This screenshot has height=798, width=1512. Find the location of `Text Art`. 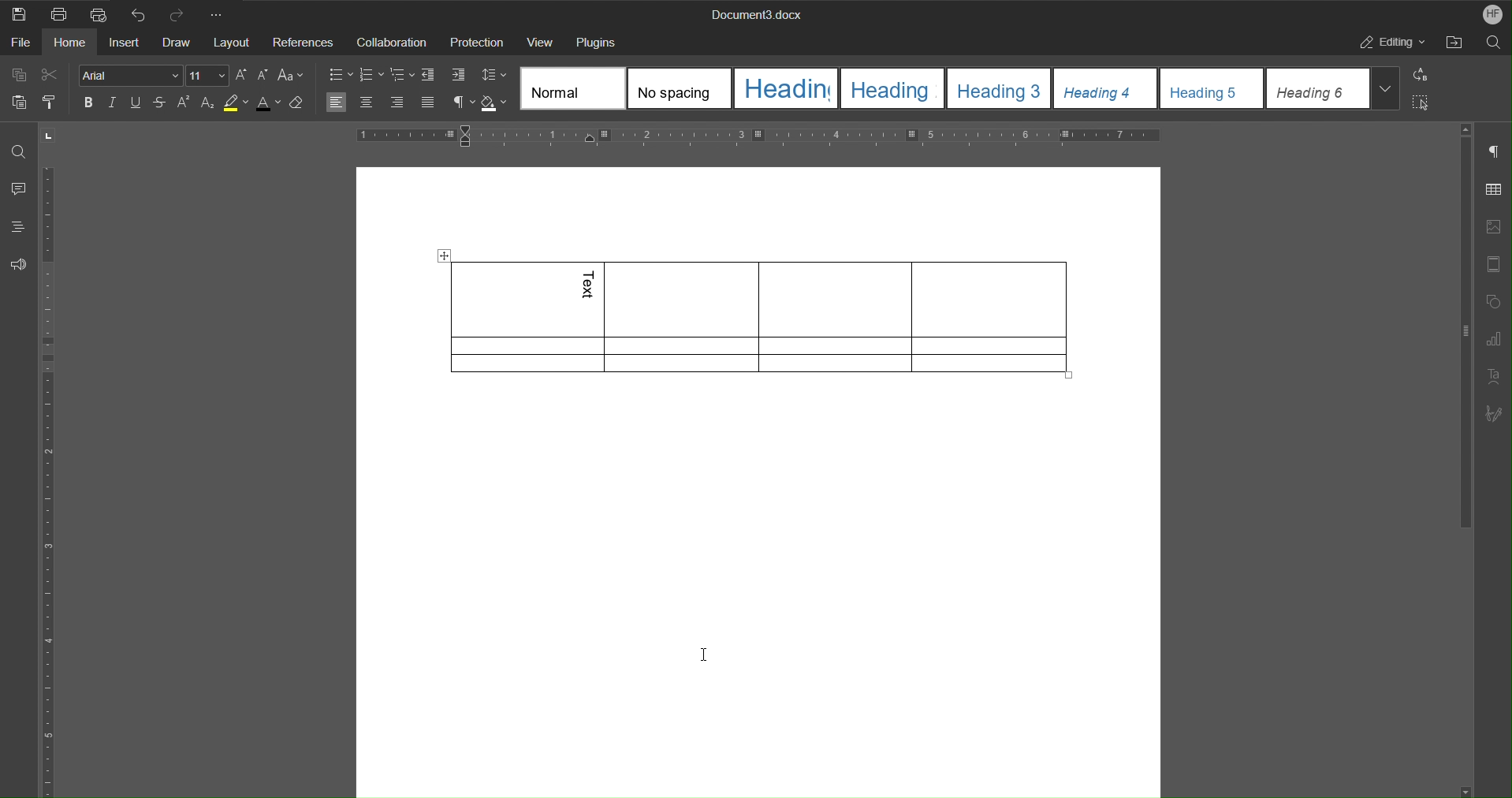

Text Art is located at coordinates (1495, 375).